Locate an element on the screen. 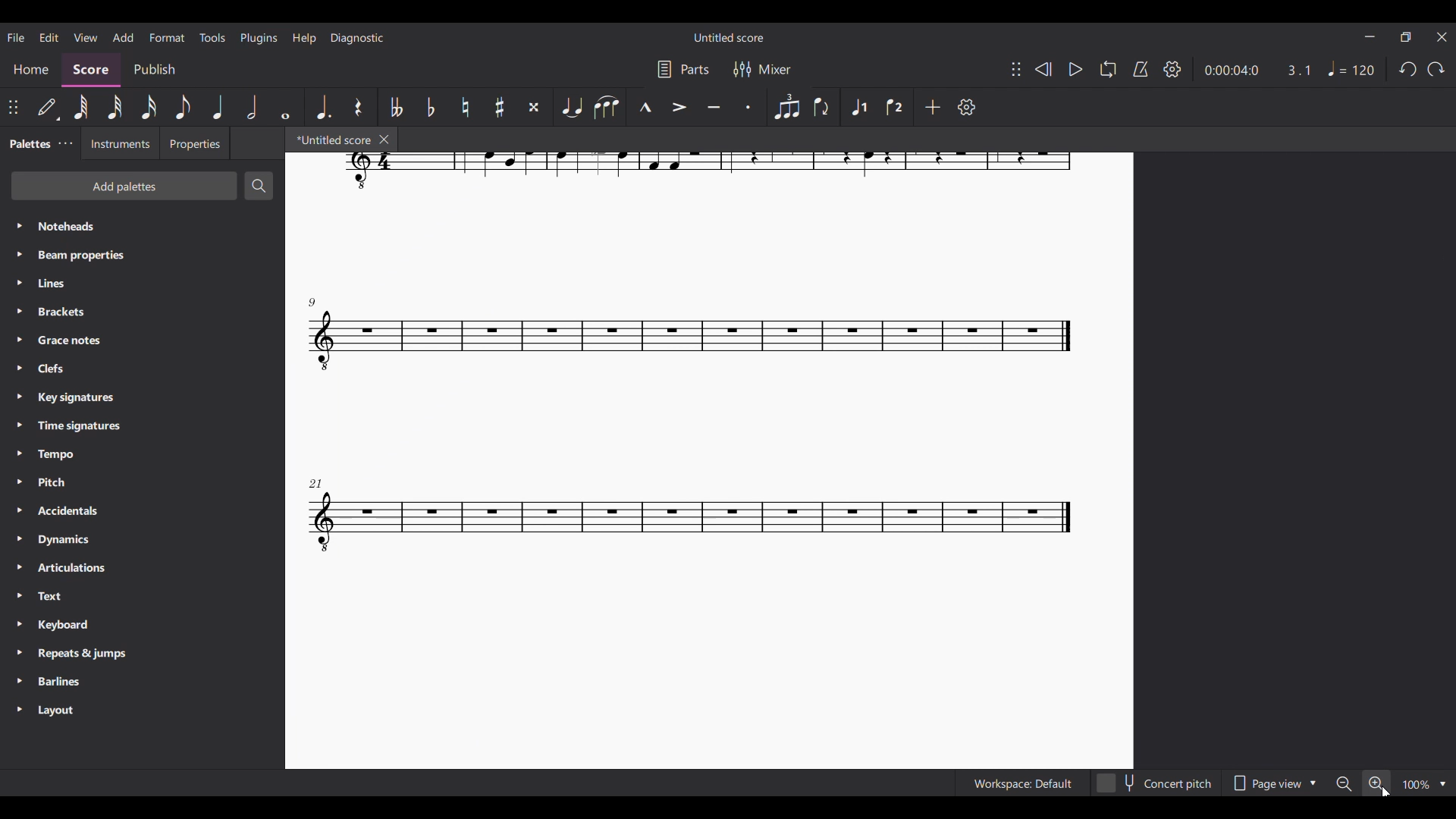 The height and width of the screenshot is (819, 1456). Tenuto is located at coordinates (714, 108).